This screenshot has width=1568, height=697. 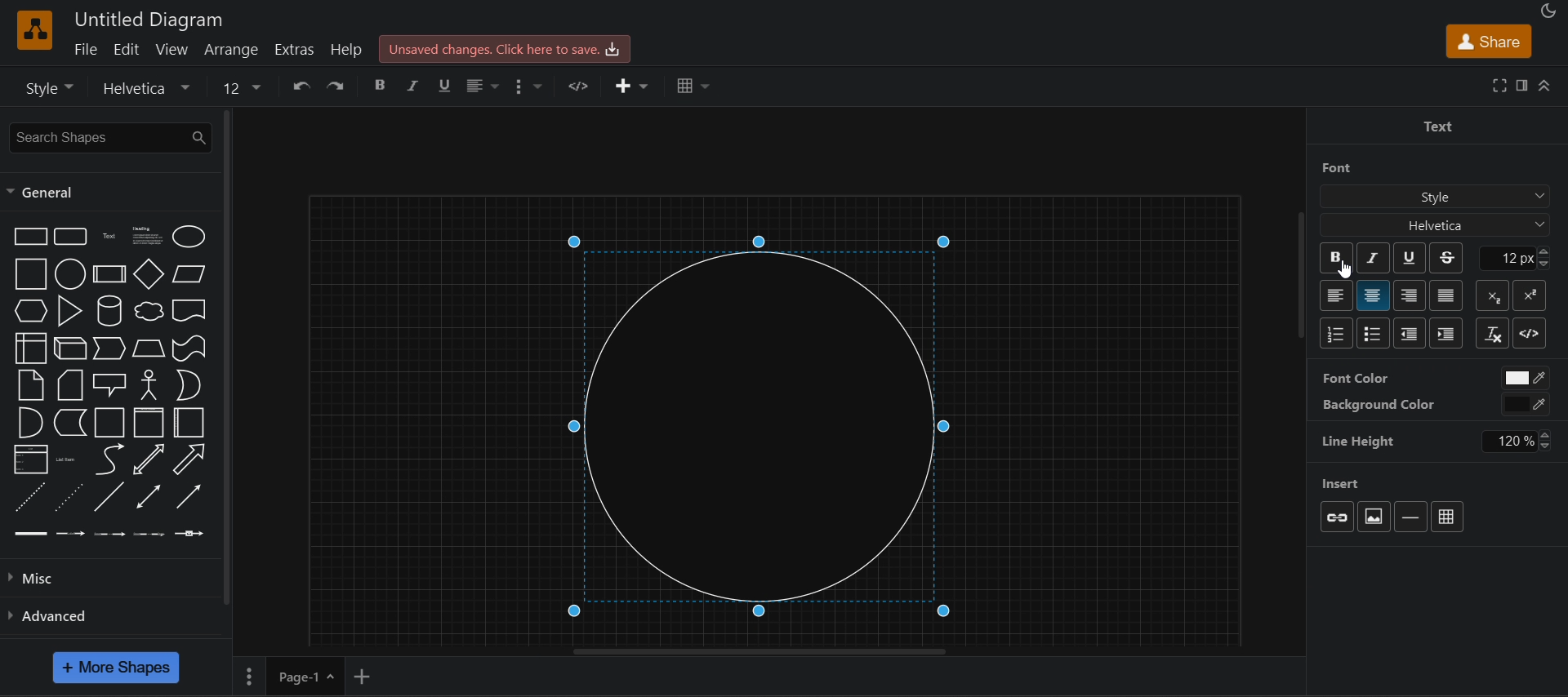 I want to click on right align, so click(x=1410, y=295).